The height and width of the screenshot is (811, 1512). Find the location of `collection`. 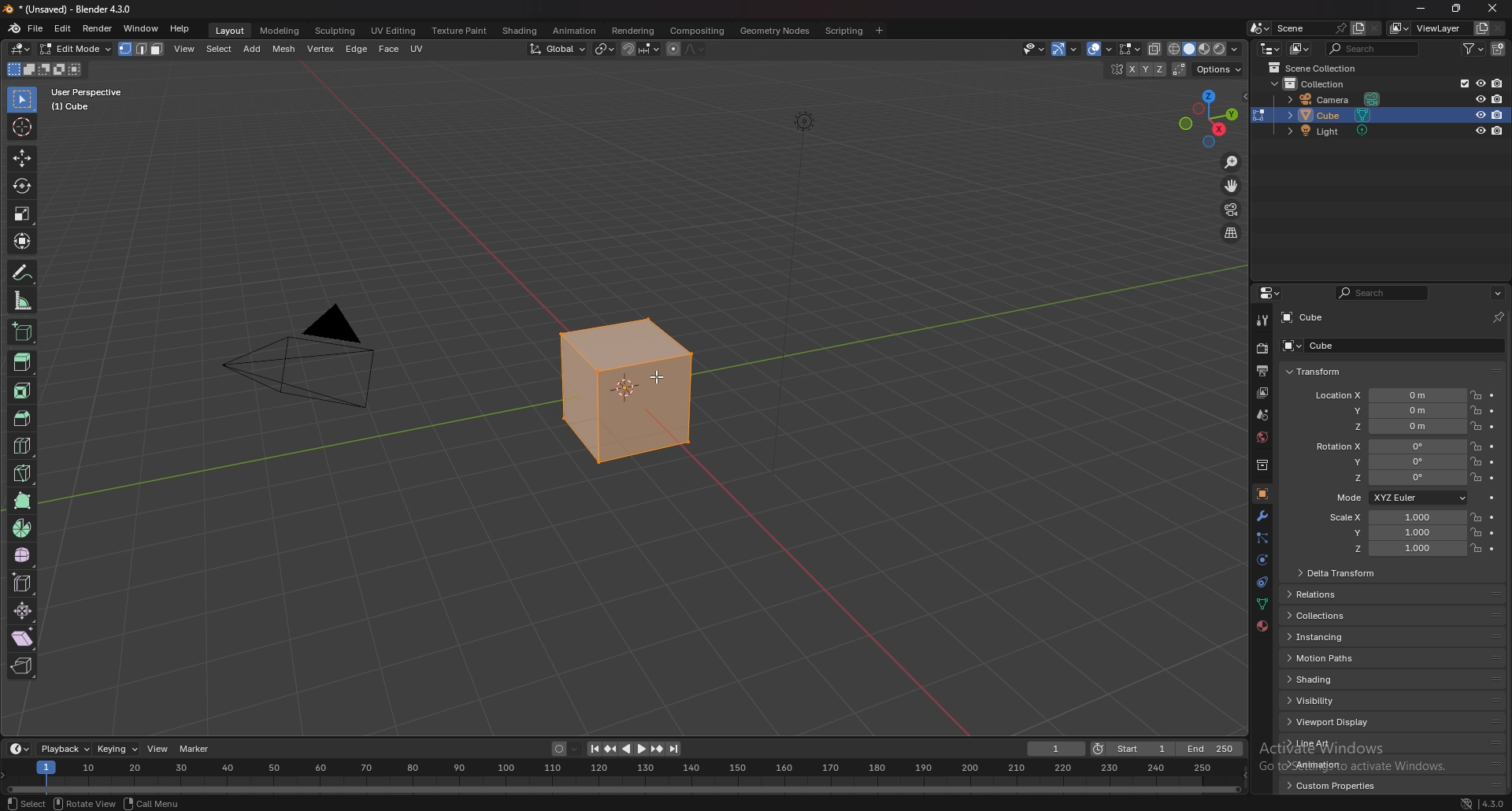

collection is located at coordinates (1318, 83).